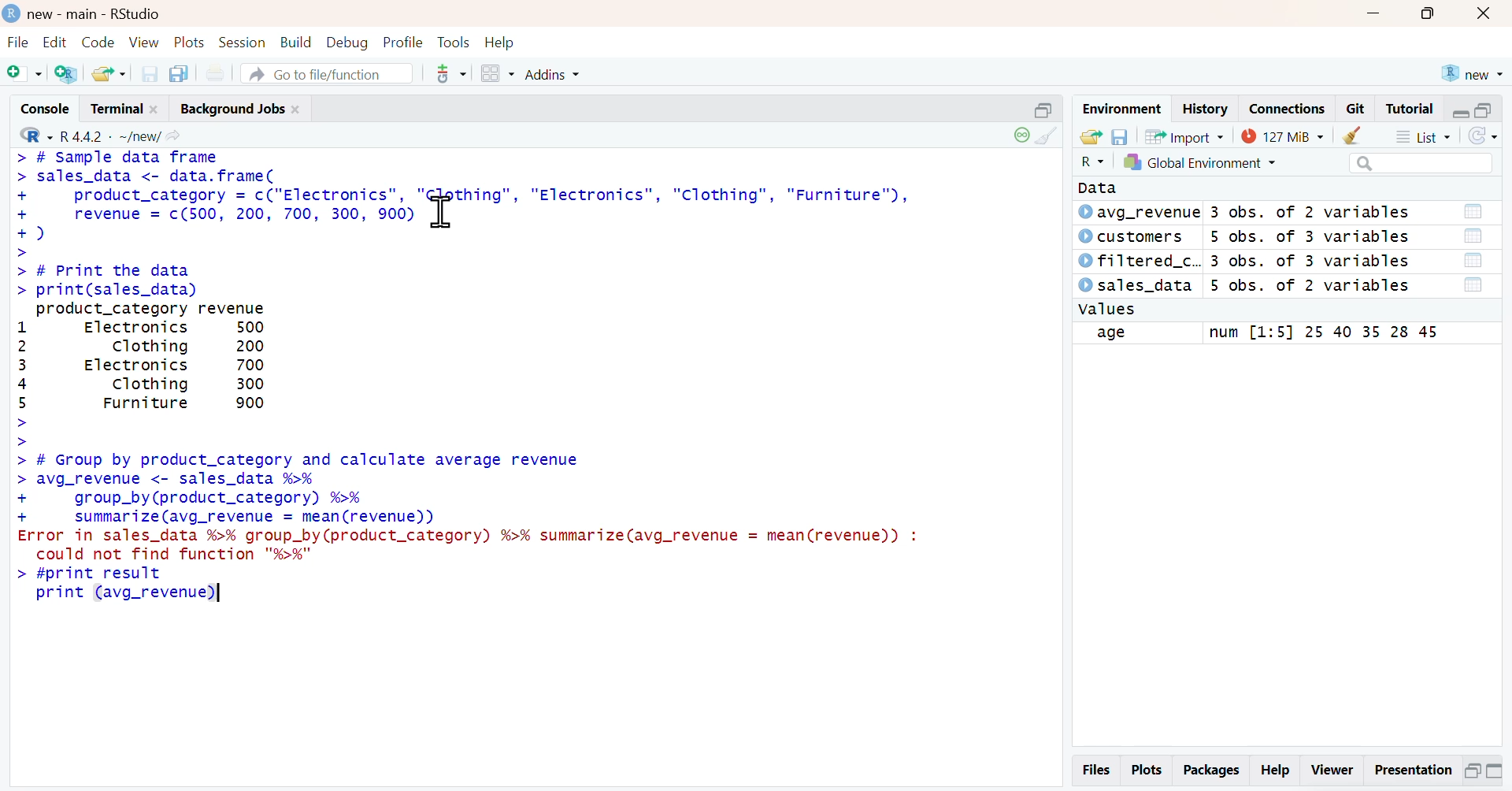 This screenshot has width=1512, height=791. What do you see at coordinates (126, 108) in the screenshot?
I see `Terminal` at bounding box center [126, 108].